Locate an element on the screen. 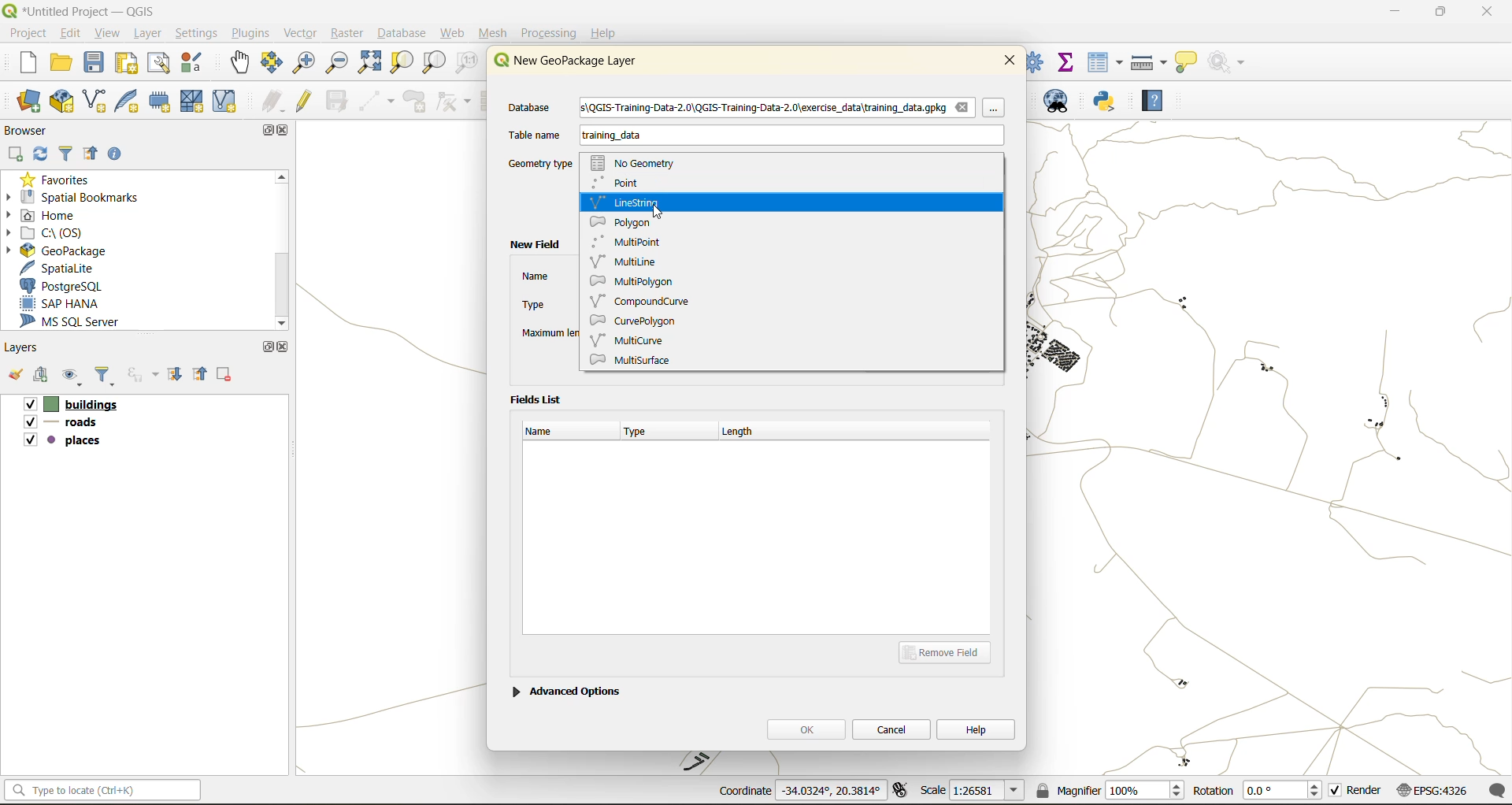  new spatialite is located at coordinates (130, 105).